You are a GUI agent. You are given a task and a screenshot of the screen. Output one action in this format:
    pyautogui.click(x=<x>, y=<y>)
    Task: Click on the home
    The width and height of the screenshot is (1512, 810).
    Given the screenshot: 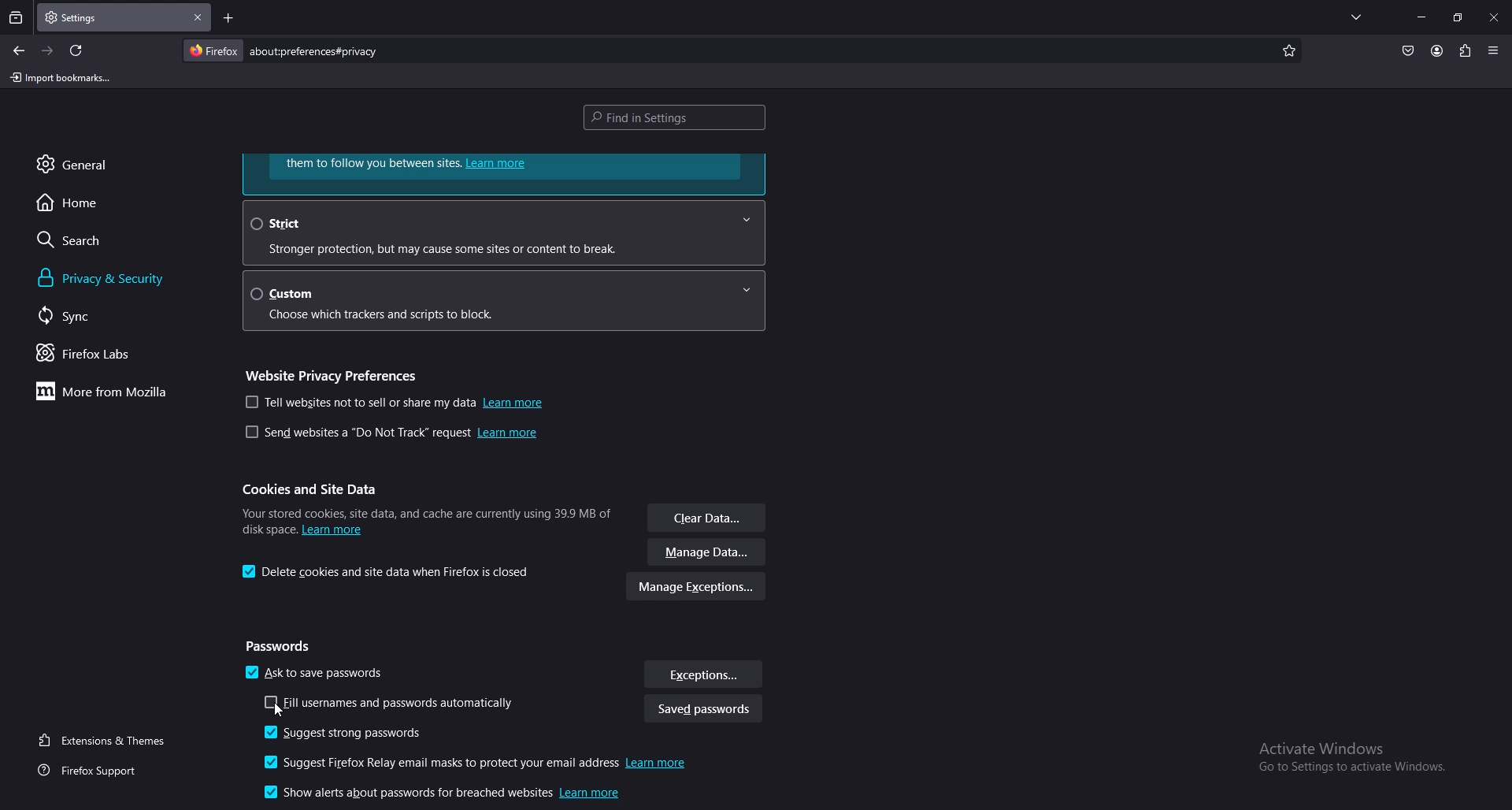 What is the action you would take?
    pyautogui.click(x=91, y=203)
    